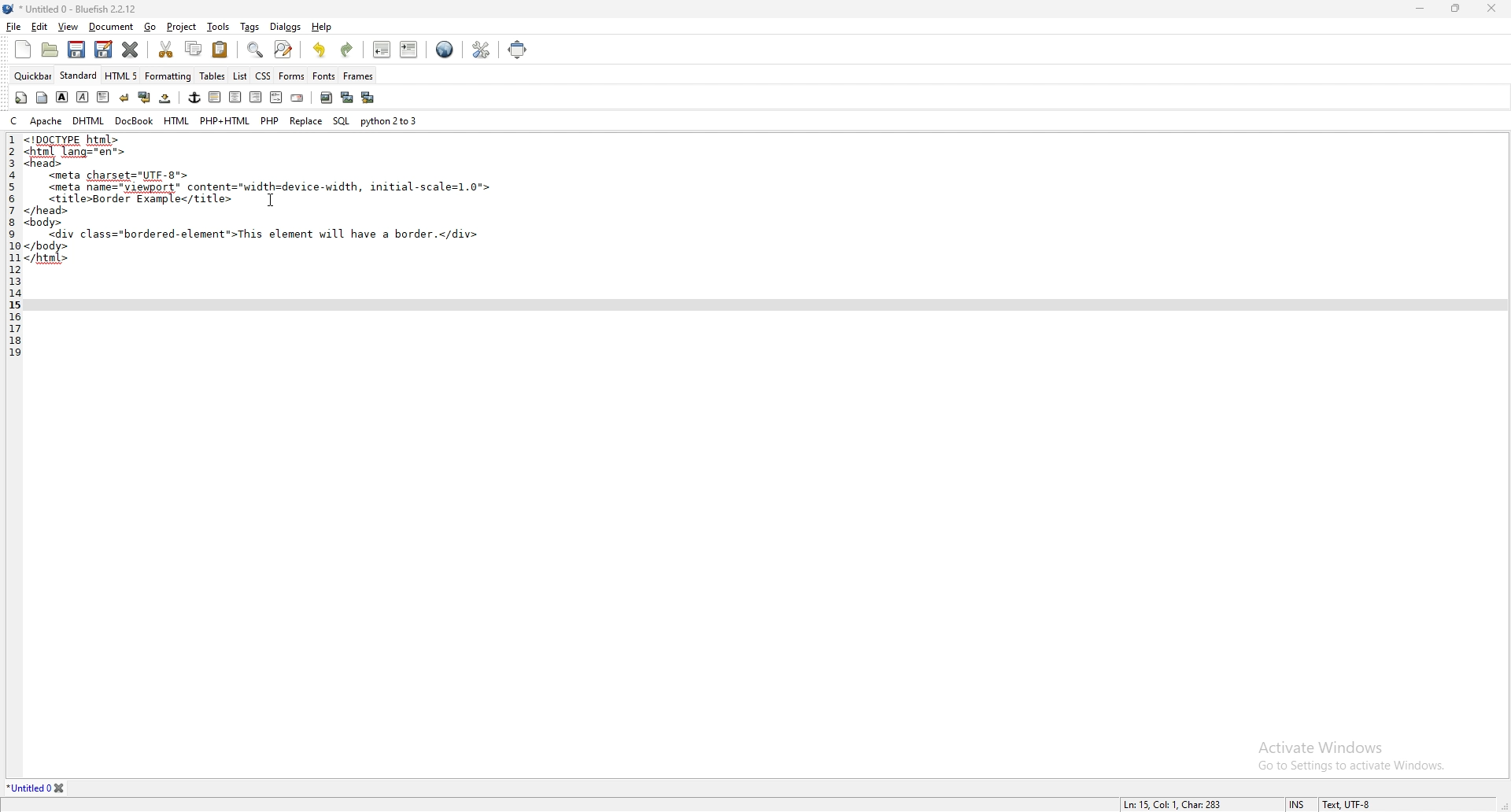 This screenshot has width=1511, height=812. Describe the element at coordinates (10, 256) in the screenshot. I see `1 2 3 4 5 6 7 8 9 10 11 12 13 14 15 16 17 18 19` at that location.